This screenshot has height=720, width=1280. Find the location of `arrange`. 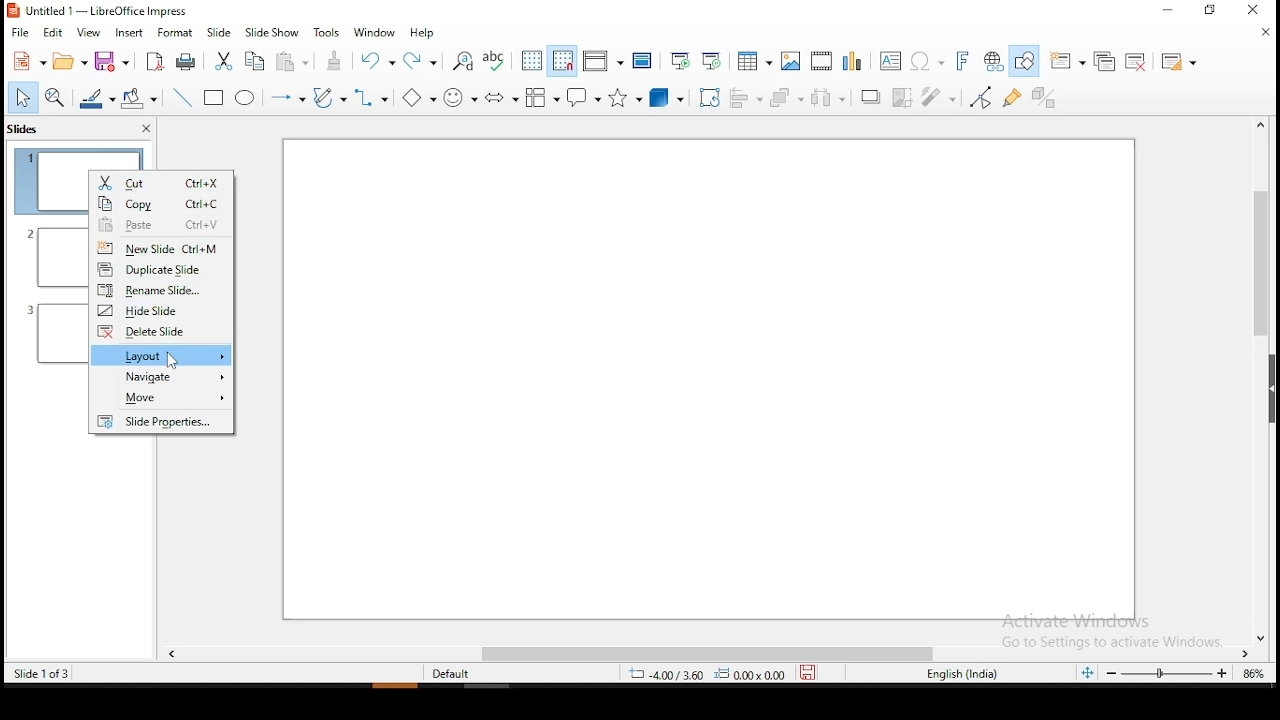

arrange is located at coordinates (786, 97).